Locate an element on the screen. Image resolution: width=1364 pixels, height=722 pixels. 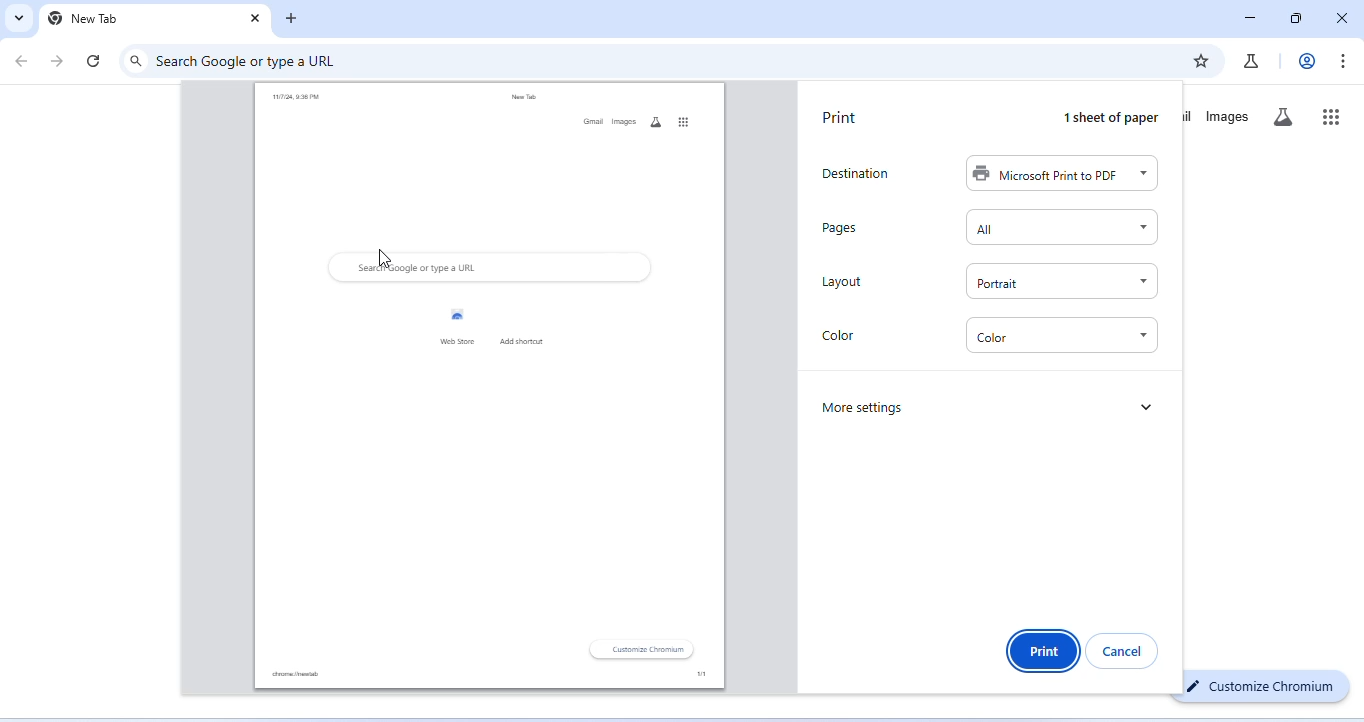
refresh is located at coordinates (95, 60).